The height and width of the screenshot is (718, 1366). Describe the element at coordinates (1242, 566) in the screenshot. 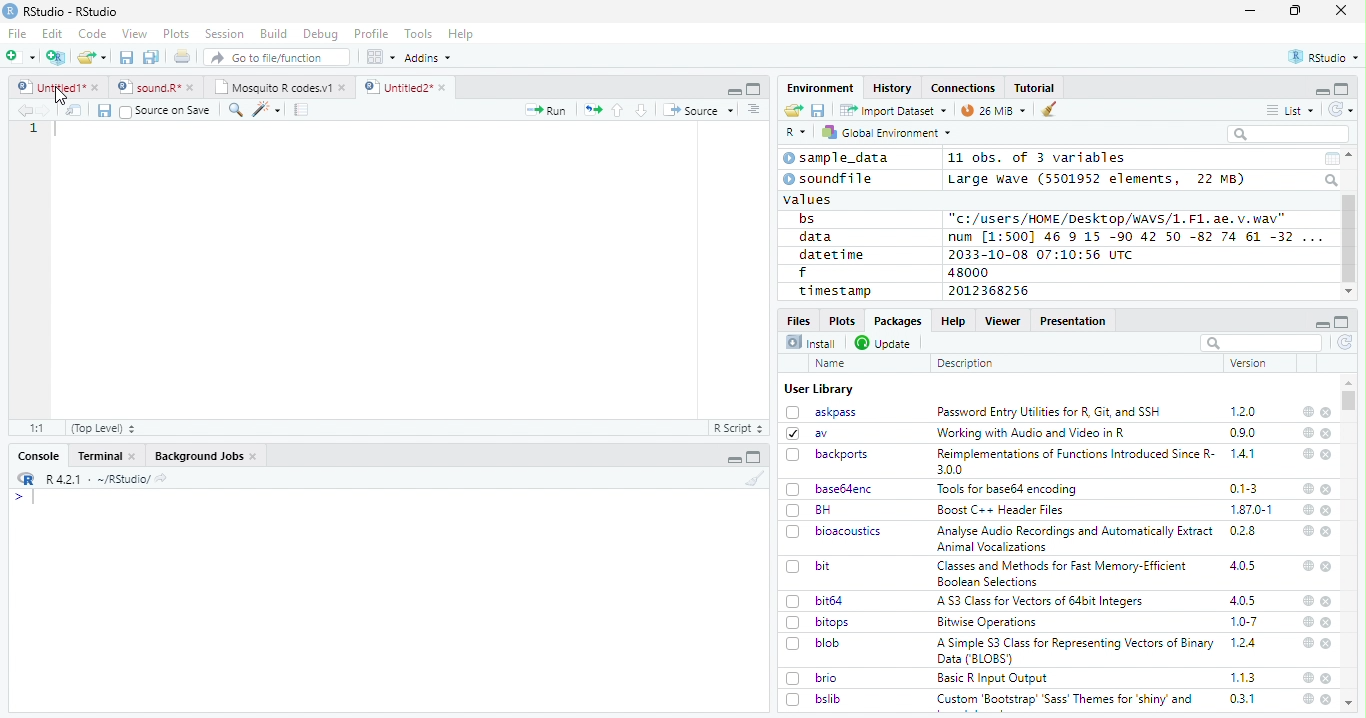

I see `4.0.5` at that location.